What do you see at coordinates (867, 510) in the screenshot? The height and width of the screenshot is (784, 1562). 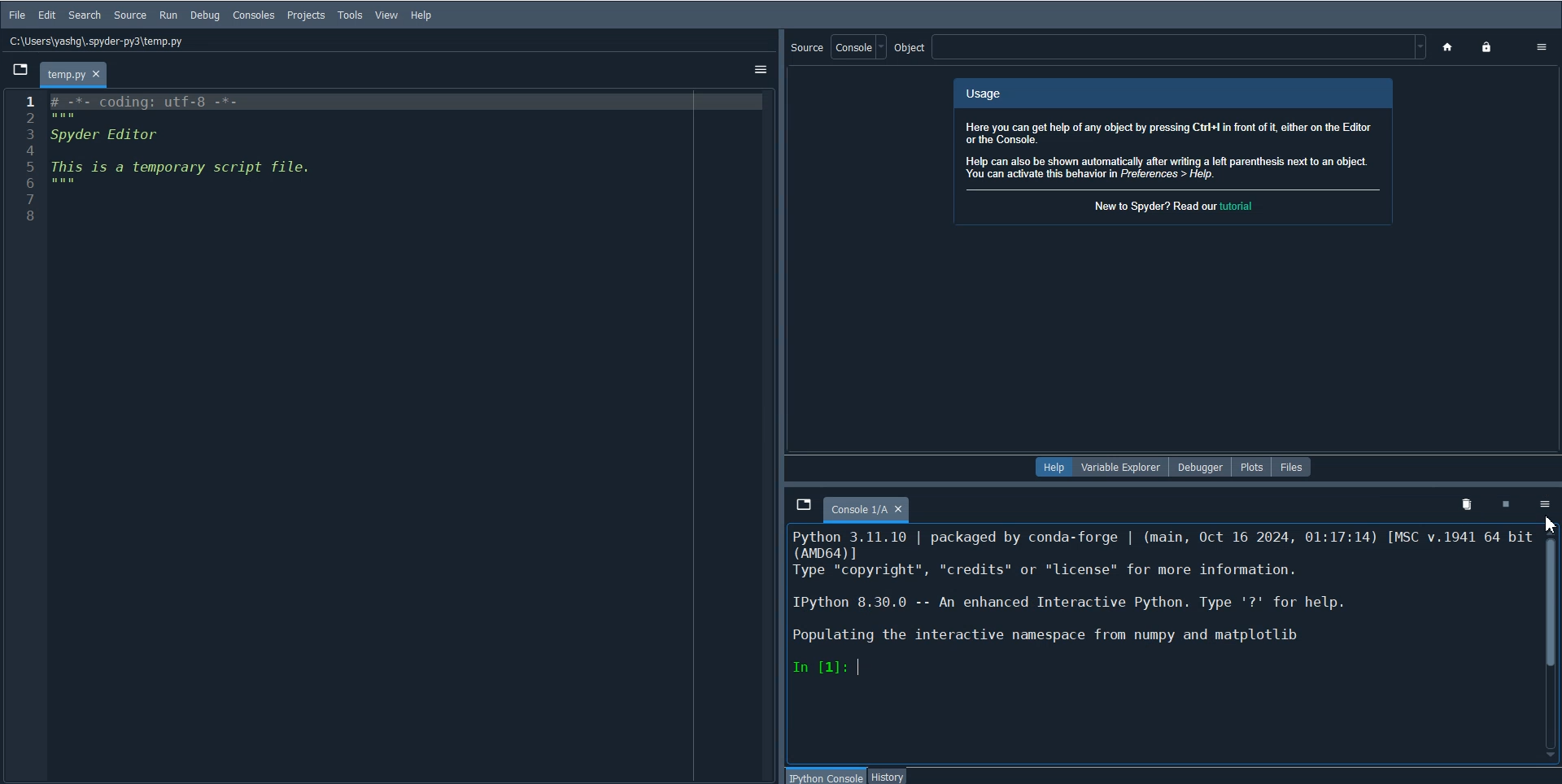 I see `Console 1/A` at bounding box center [867, 510].